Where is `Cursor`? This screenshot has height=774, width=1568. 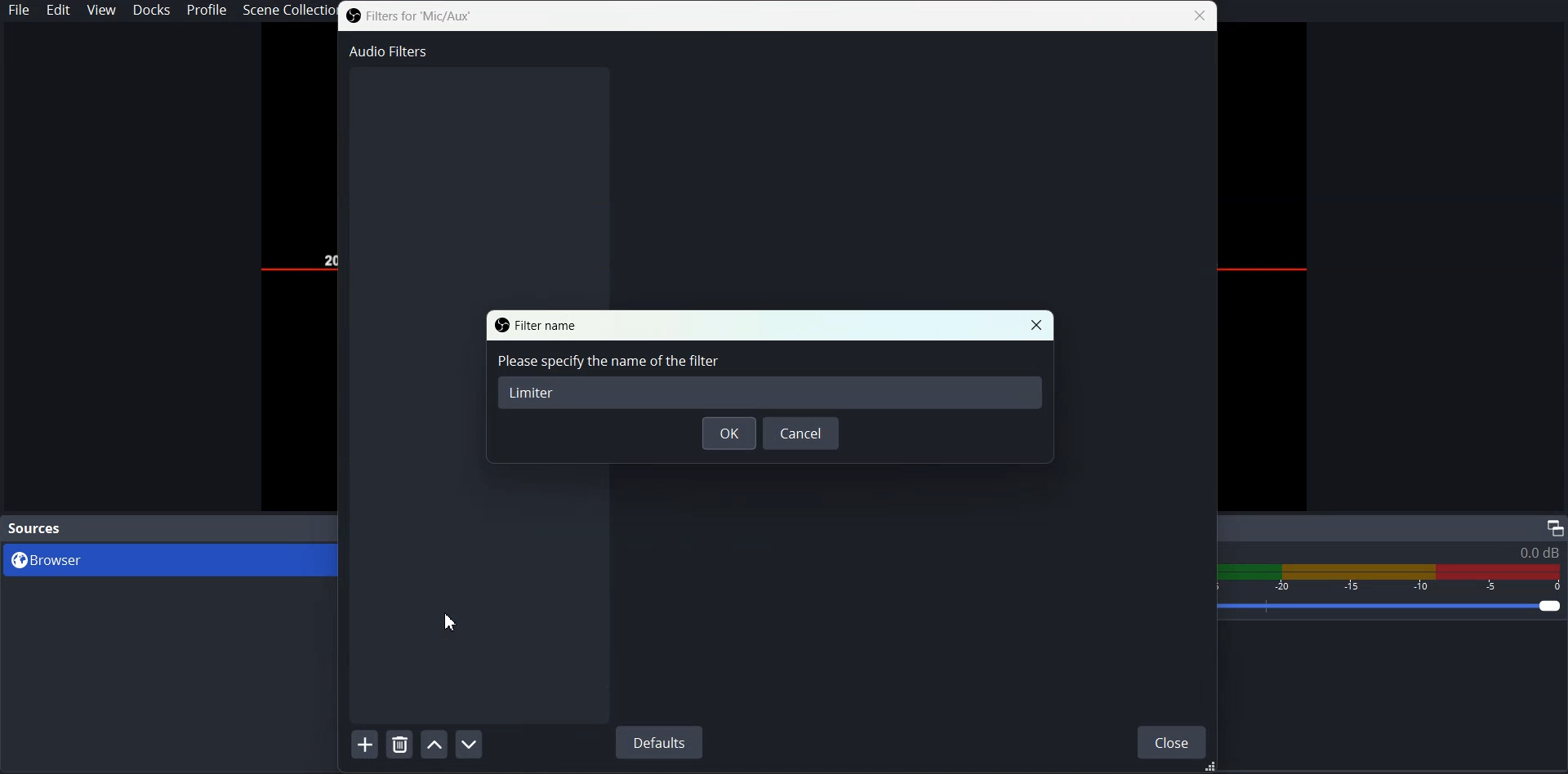
Cursor is located at coordinates (452, 621).